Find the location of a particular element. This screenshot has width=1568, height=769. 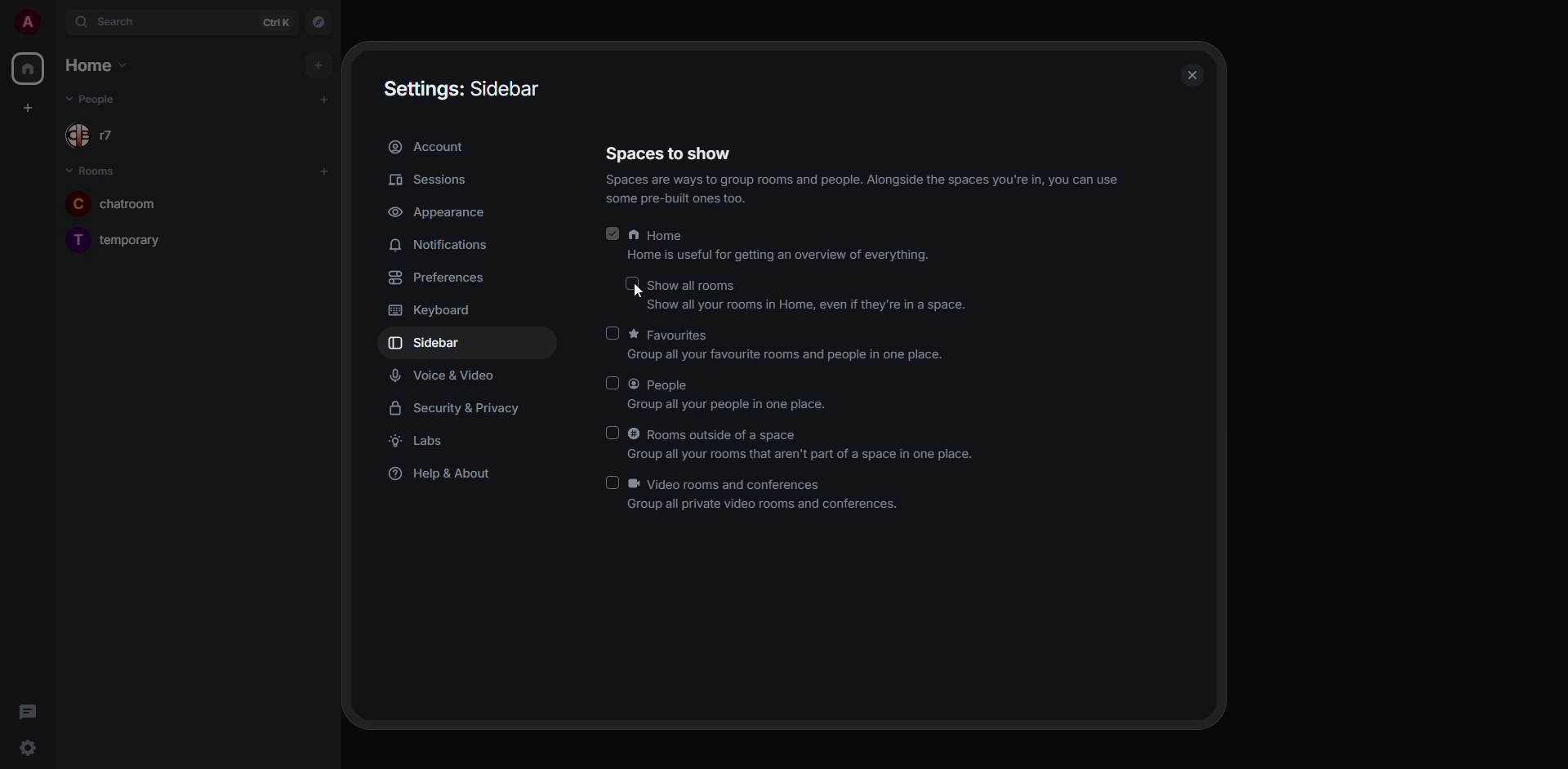

navigator is located at coordinates (318, 21).